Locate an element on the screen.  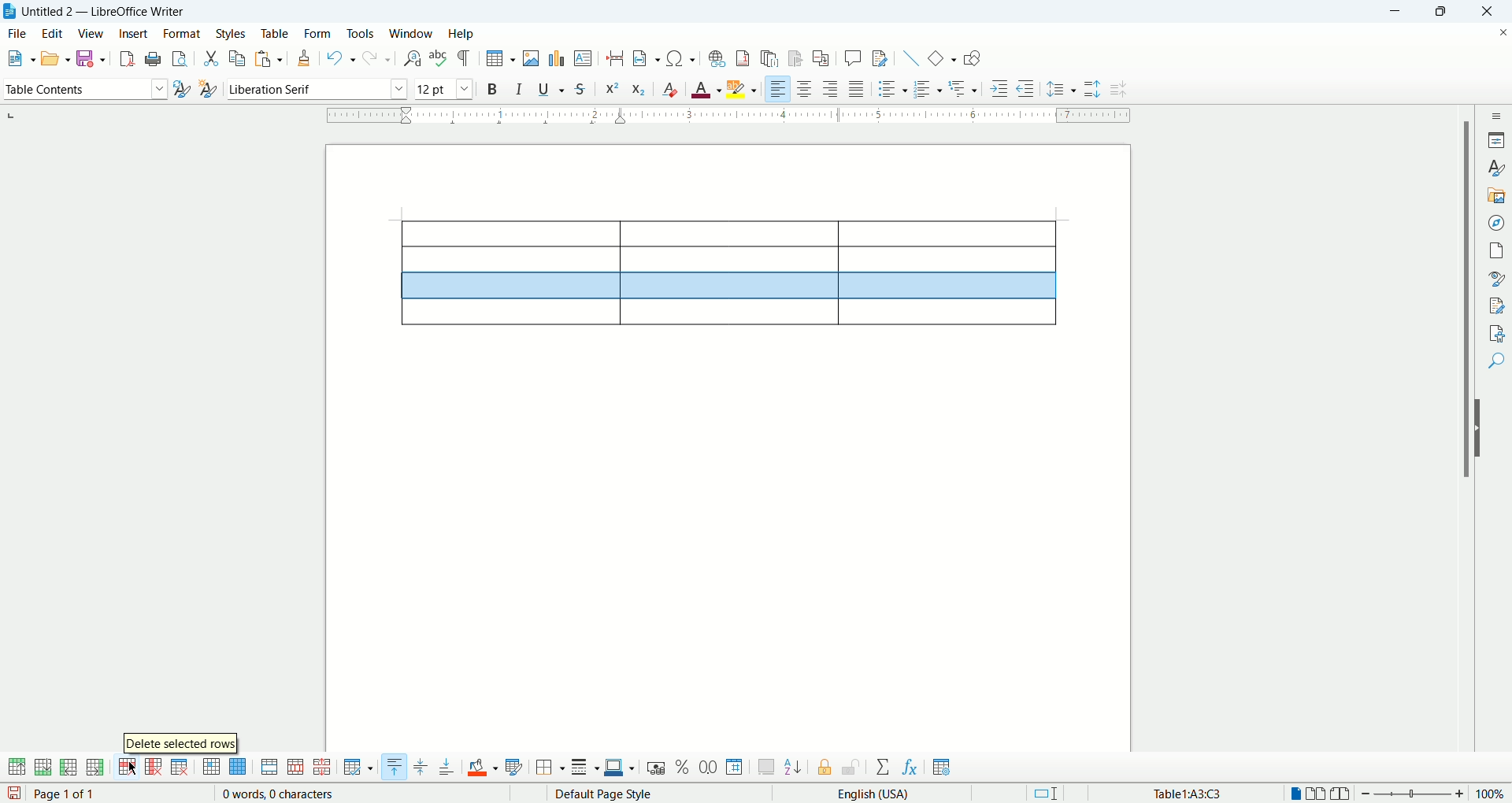
manage changes is located at coordinates (1494, 307).